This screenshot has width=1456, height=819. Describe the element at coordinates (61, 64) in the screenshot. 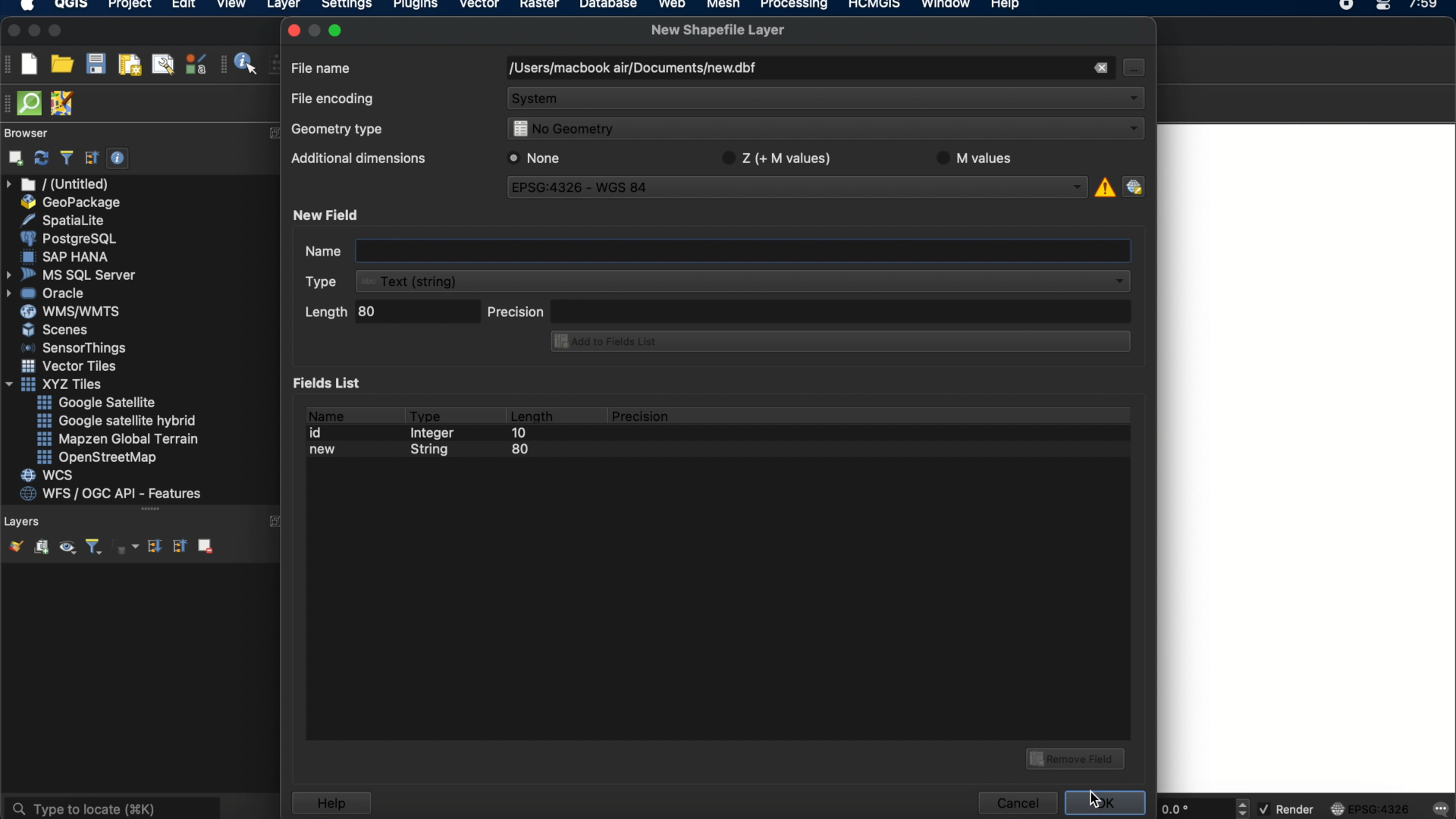

I see `open project` at that location.